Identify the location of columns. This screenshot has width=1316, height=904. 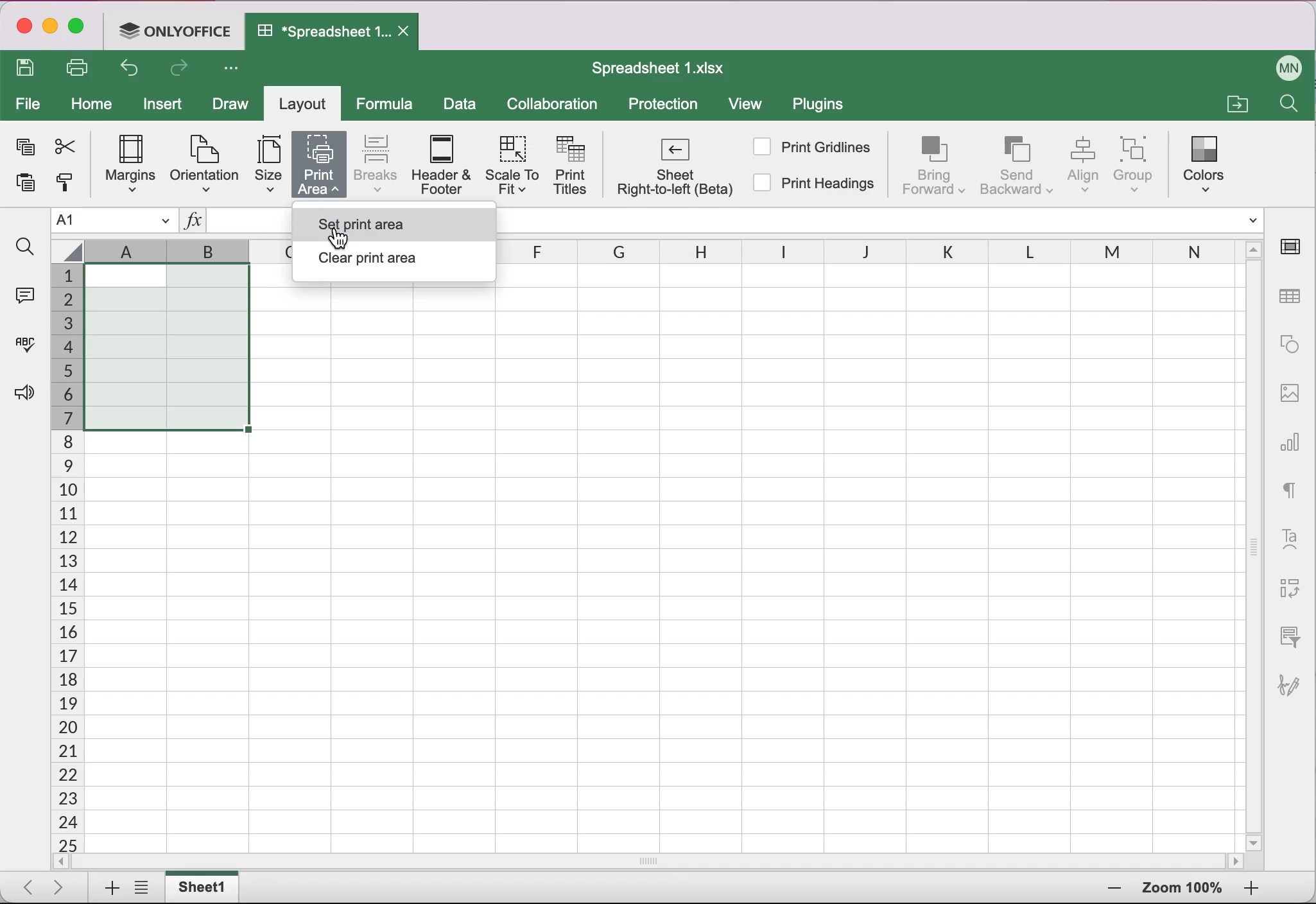
(878, 254).